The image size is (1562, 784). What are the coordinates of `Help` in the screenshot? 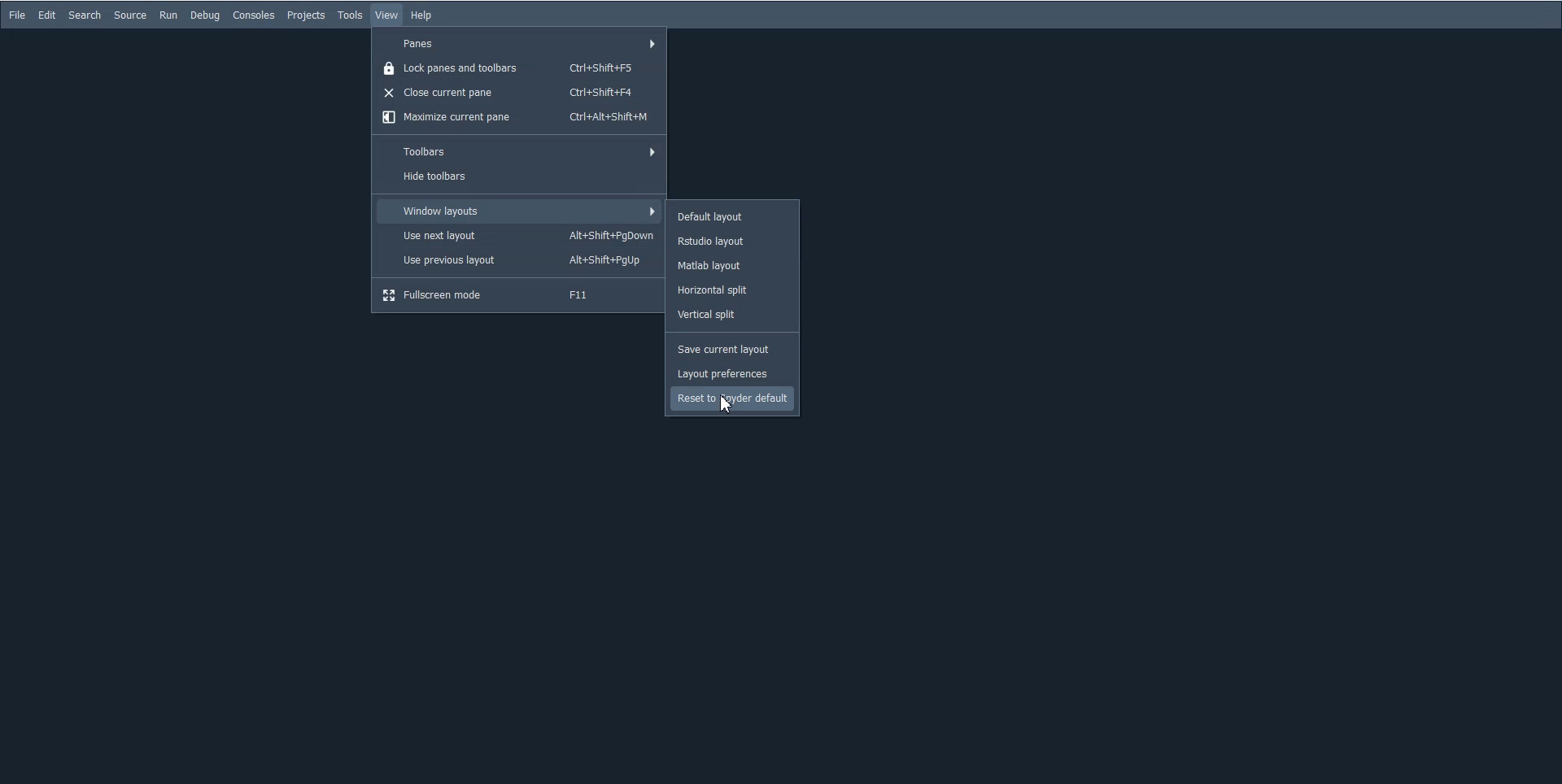 It's located at (421, 15).